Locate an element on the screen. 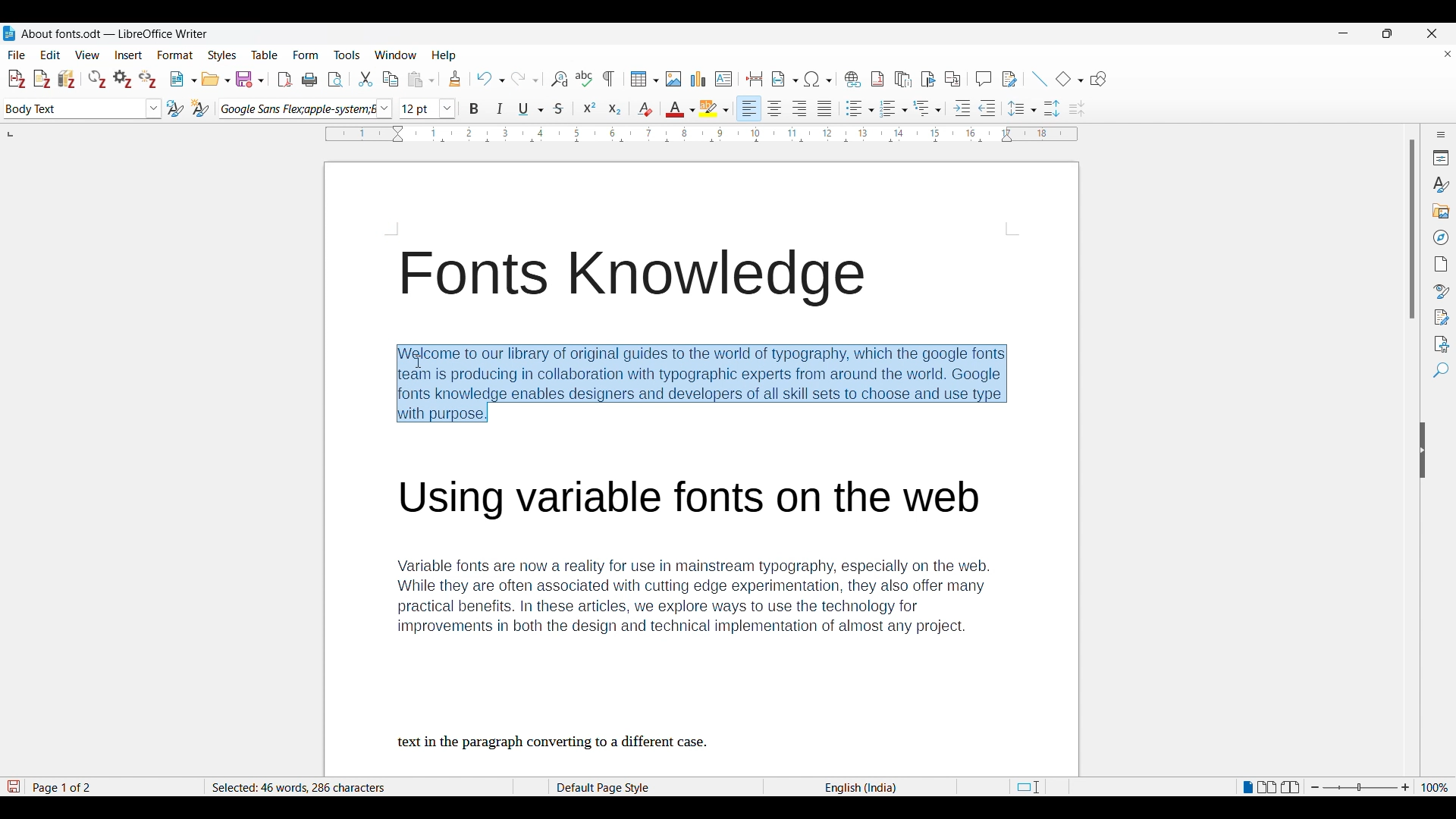 This screenshot has width=1456, height=819. Hide sidebar is located at coordinates (1423, 450).